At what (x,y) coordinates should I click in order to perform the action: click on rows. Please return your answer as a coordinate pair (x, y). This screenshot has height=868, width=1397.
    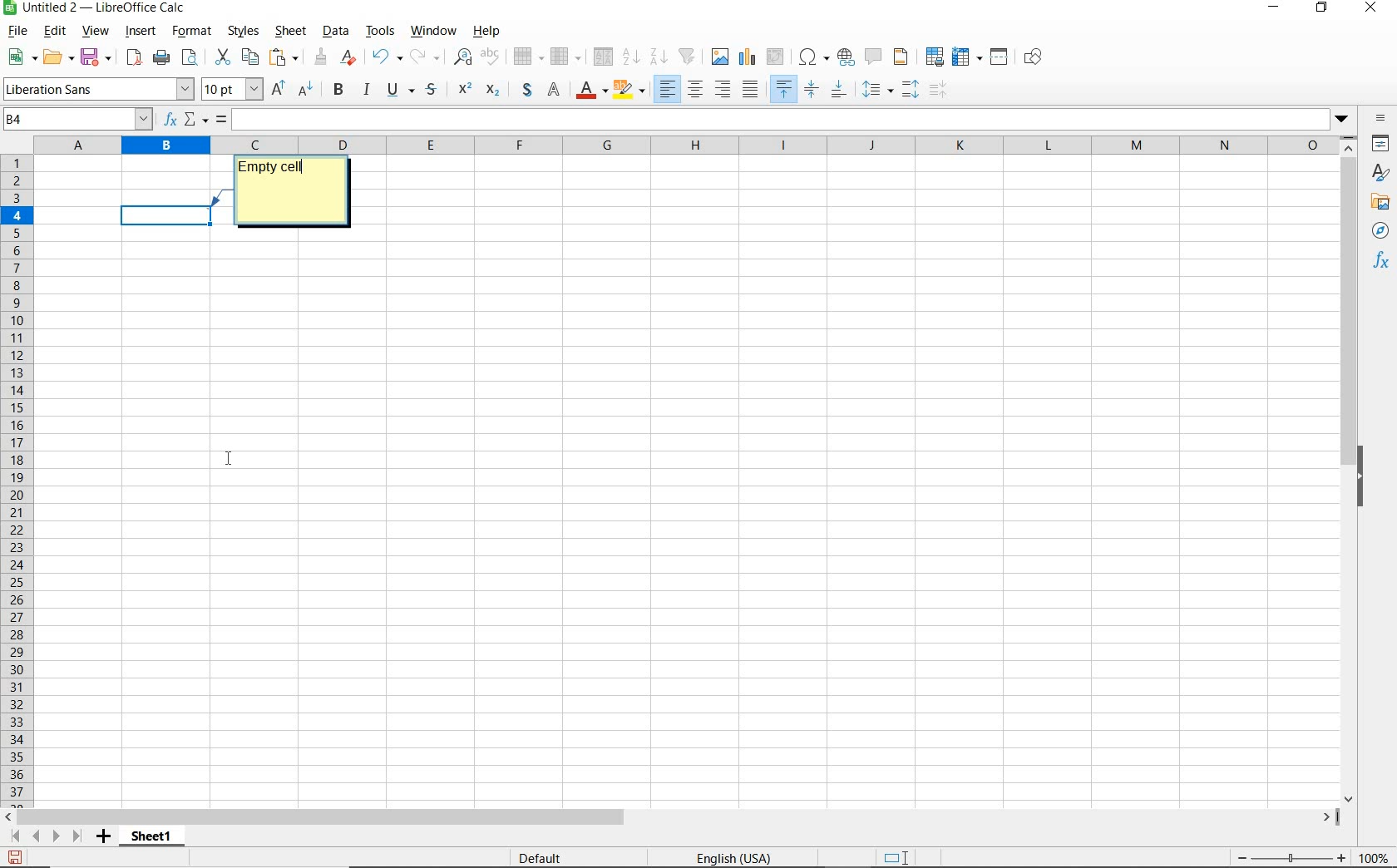
    Looking at the image, I should click on (16, 480).